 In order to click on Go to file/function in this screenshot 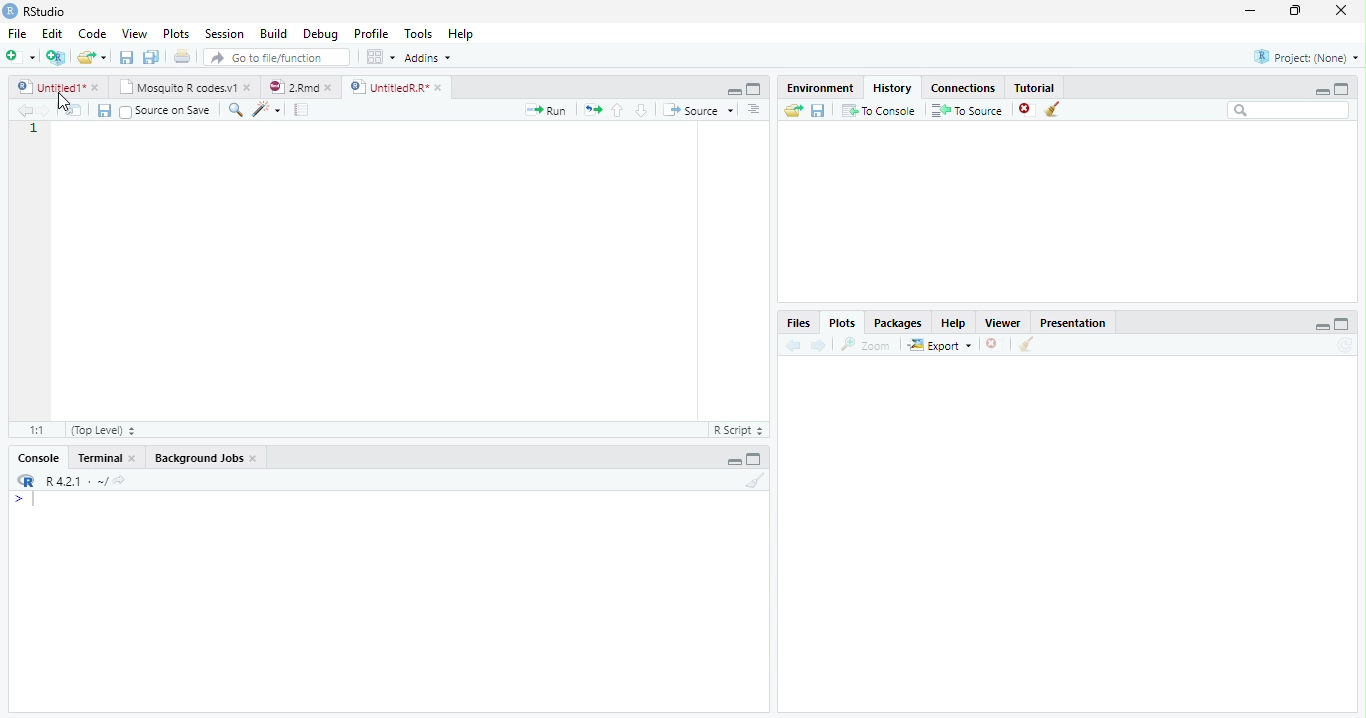, I will do `click(277, 57)`.